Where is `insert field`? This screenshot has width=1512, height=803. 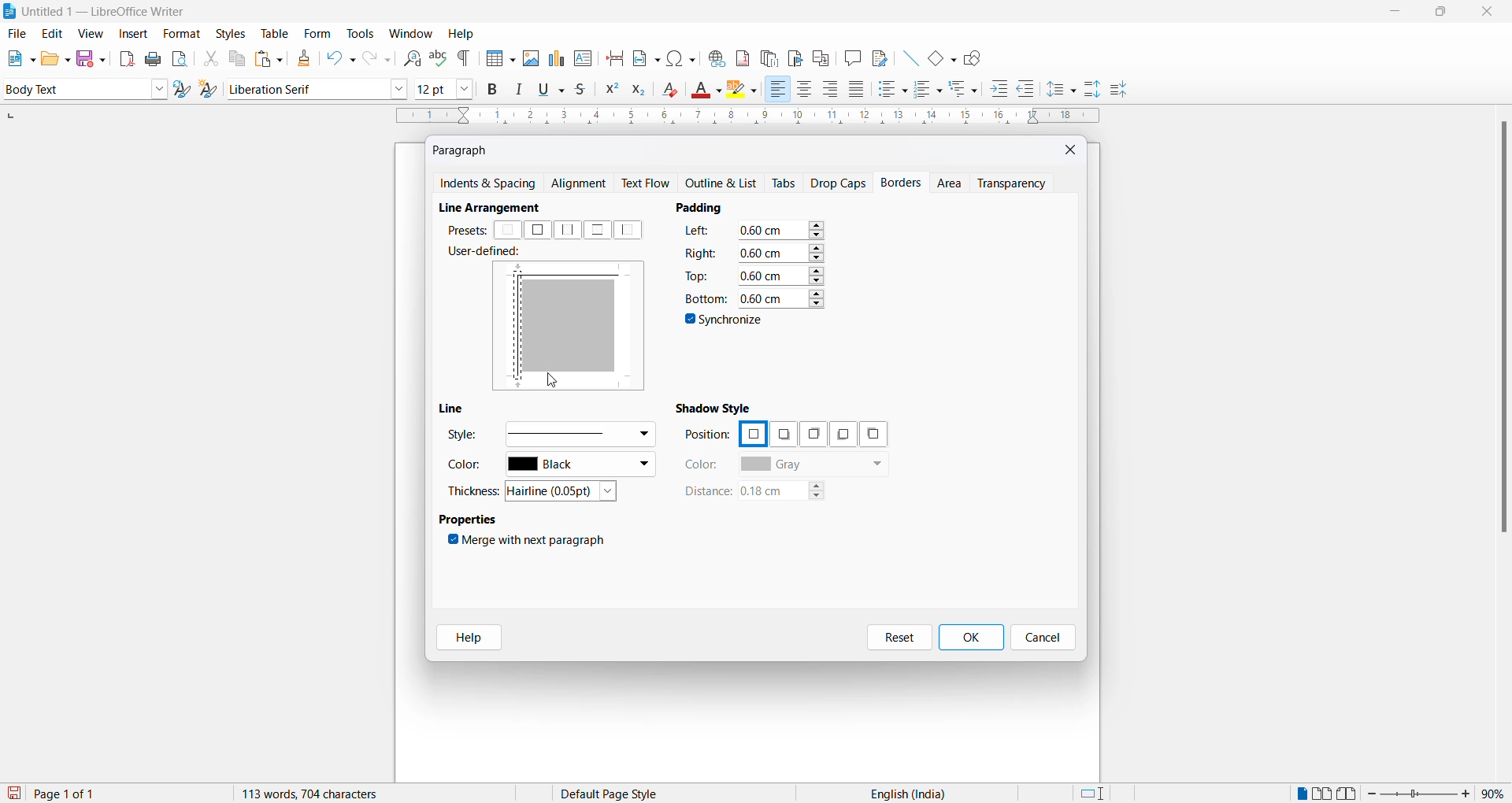 insert field is located at coordinates (645, 56).